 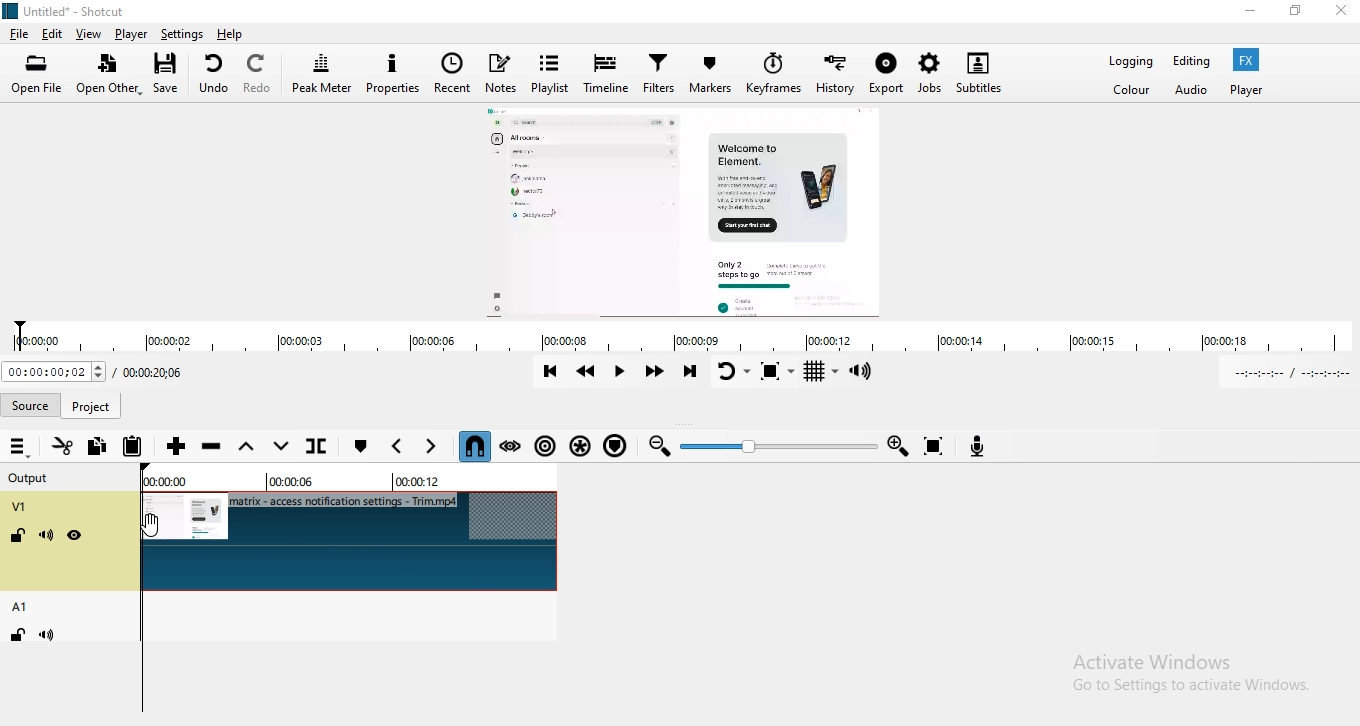 What do you see at coordinates (434, 445) in the screenshot?
I see `Next marker` at bounding box center [434, 445].